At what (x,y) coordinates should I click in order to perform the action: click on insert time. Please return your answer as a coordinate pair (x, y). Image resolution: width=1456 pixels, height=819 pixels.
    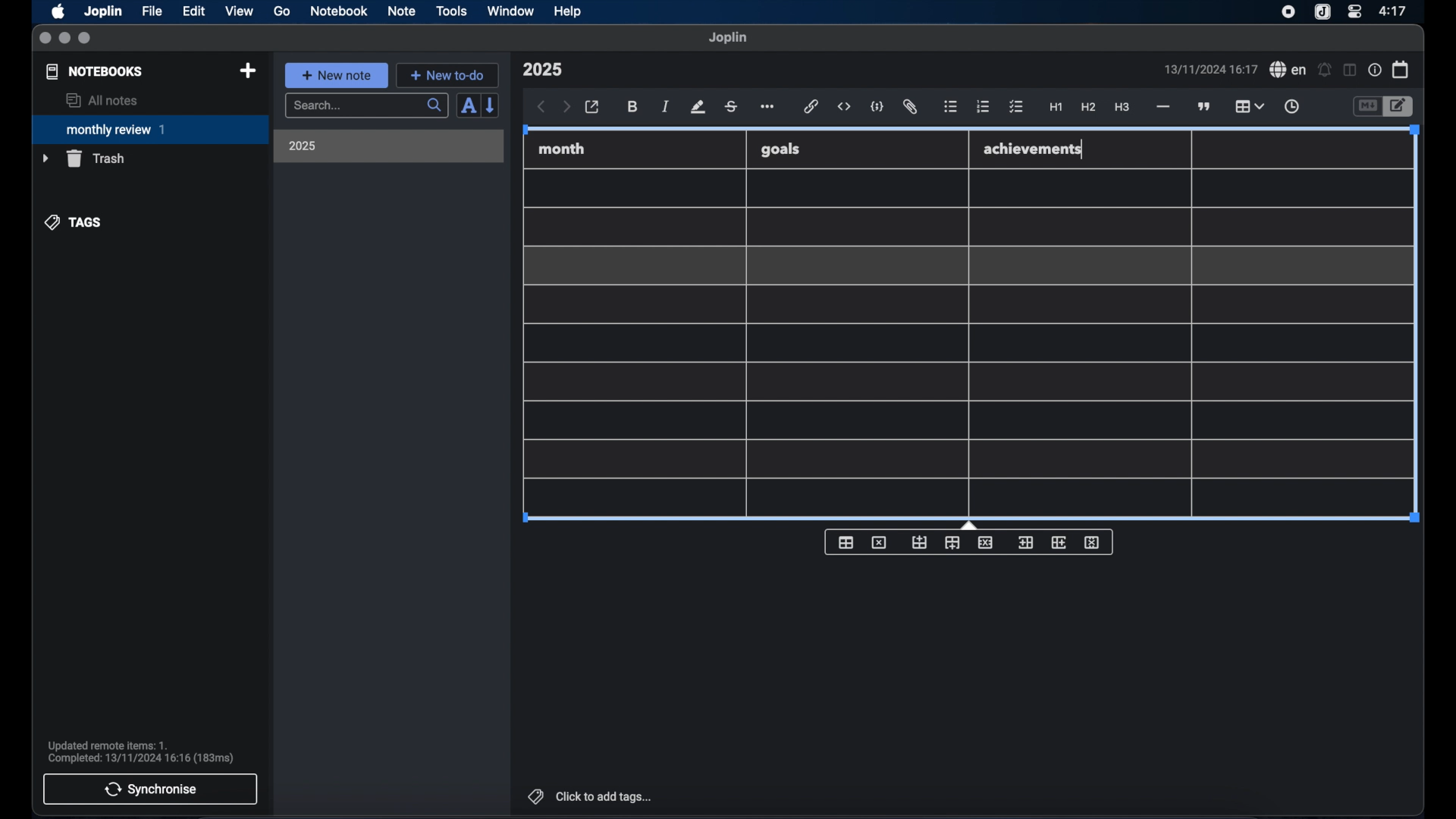
    Looking at the image, I should click on (1291, 107).